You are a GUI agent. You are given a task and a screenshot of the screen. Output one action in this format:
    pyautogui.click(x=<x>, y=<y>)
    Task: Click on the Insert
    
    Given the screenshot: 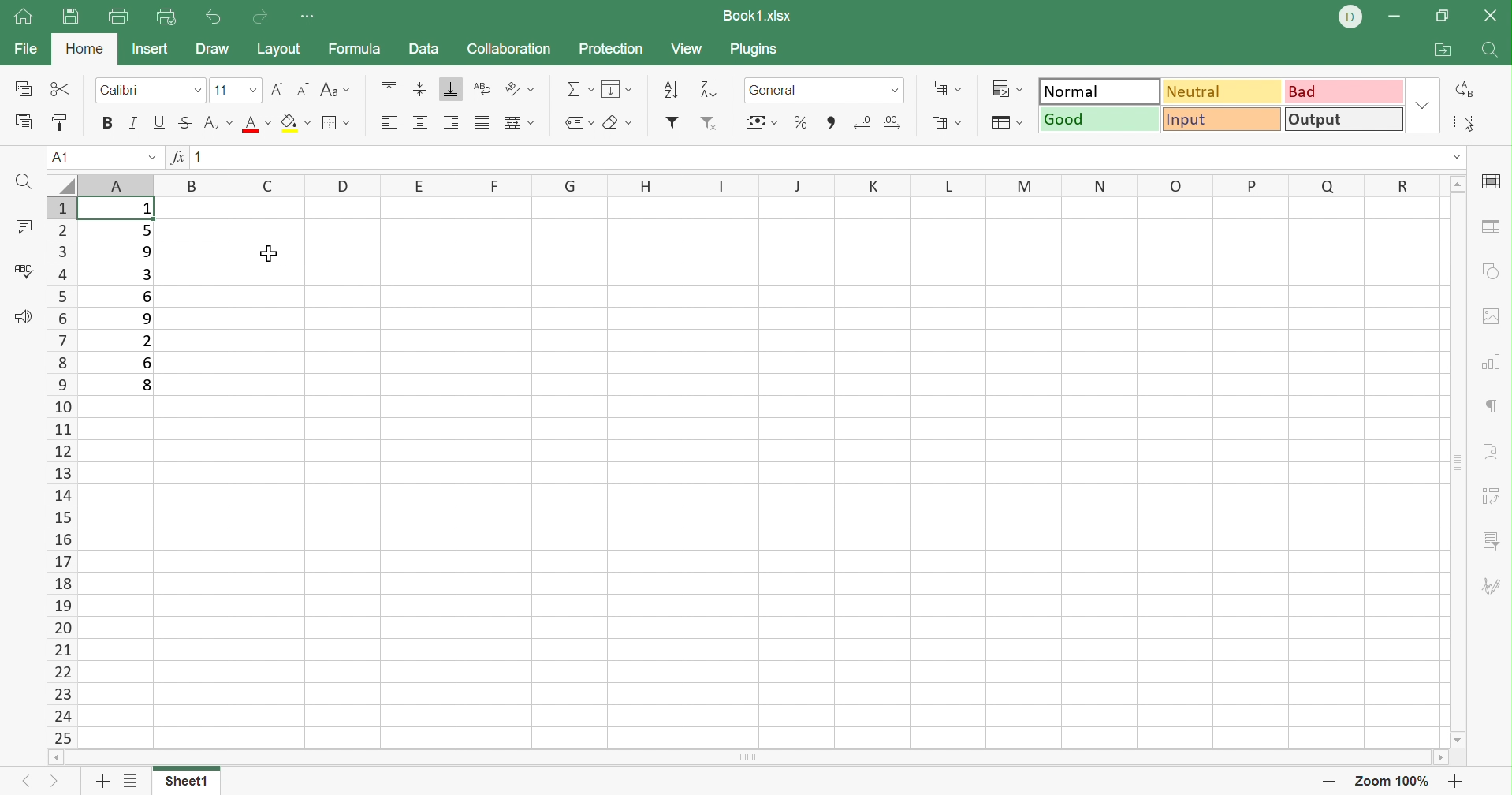 What is the action you would take?
    pyautogui.click(x=150, y=50)
    